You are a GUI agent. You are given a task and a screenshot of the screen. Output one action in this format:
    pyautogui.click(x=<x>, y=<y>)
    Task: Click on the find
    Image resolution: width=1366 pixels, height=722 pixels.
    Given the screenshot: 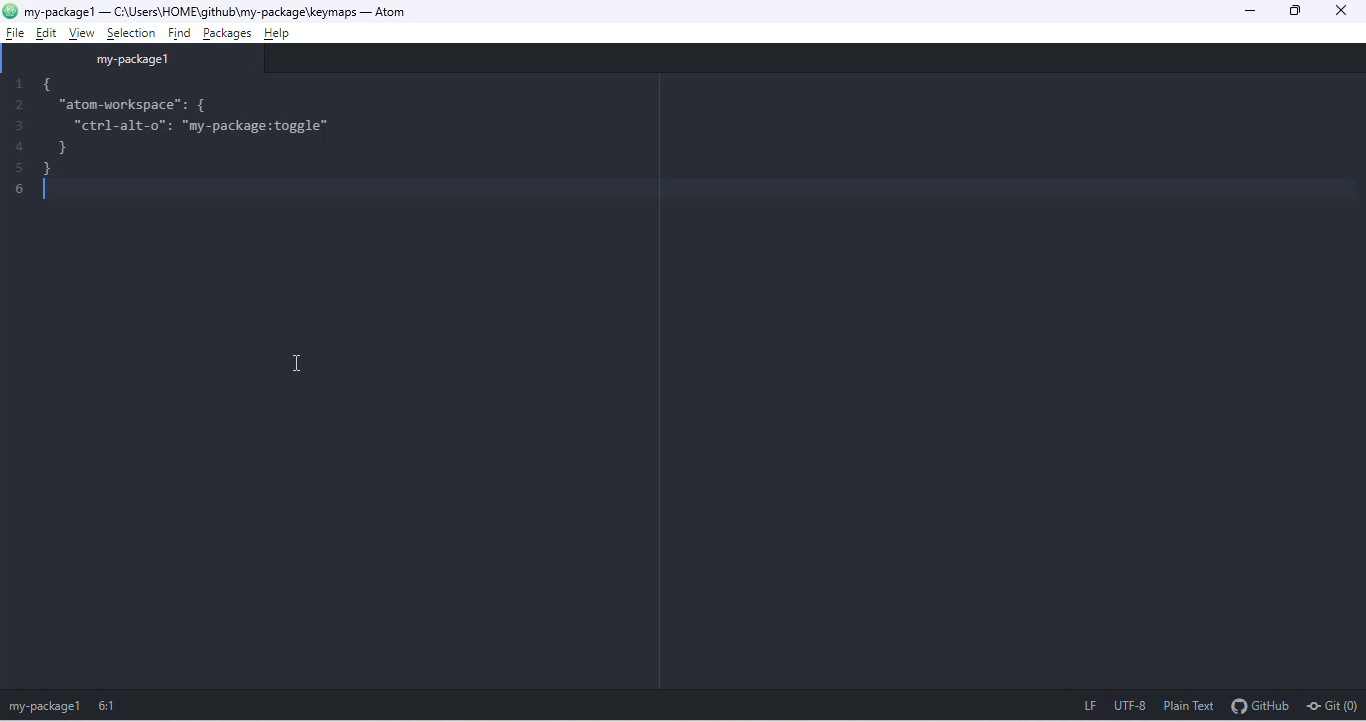 What is the action you would take?
    pyautogui.click(x=176, y=31)
    